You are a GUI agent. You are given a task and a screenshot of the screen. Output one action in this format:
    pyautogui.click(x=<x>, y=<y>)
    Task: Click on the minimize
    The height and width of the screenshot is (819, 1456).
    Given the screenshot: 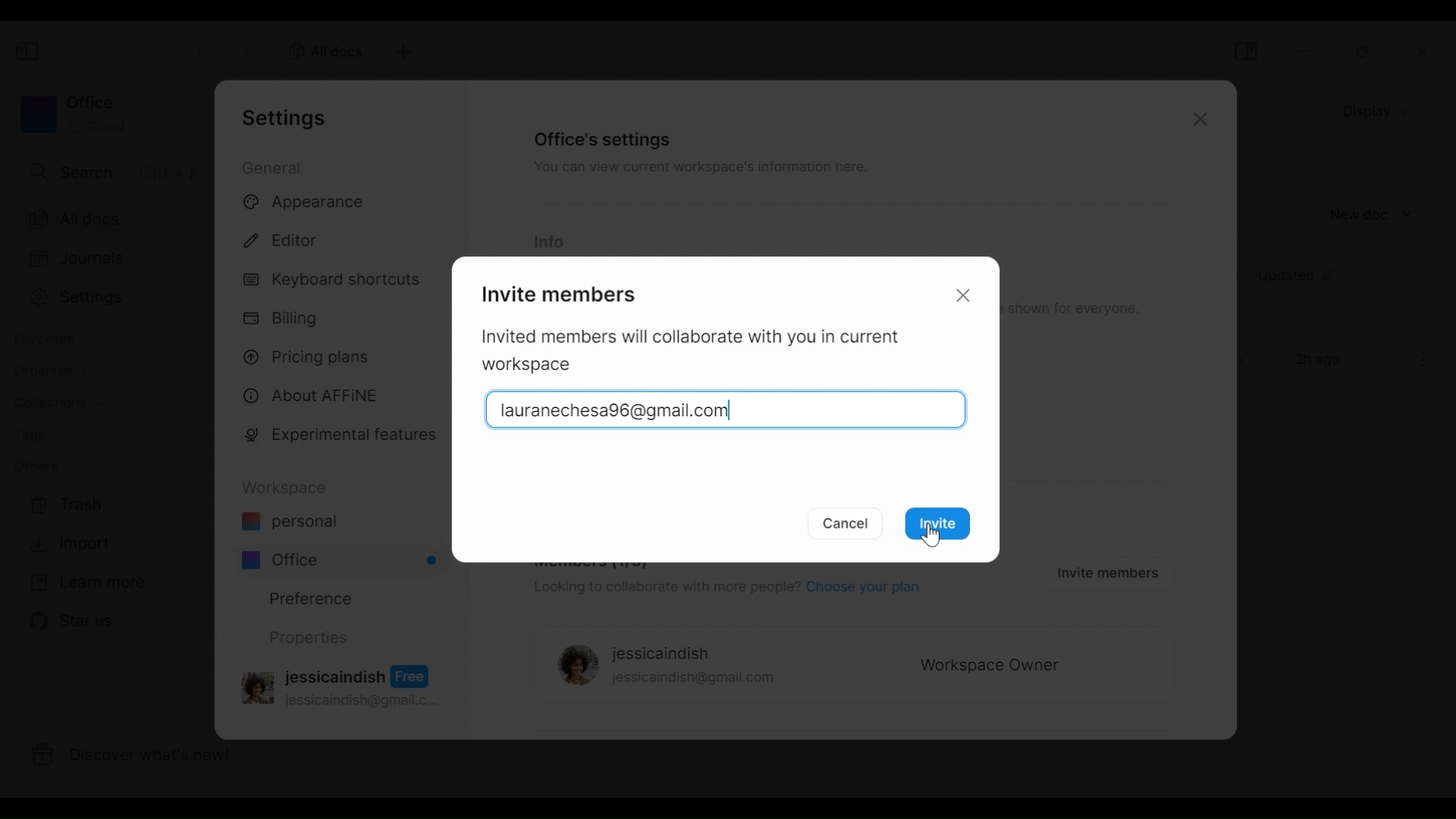 What is the action you would take?
    pyautogui.click(x=1307, y=51)
    